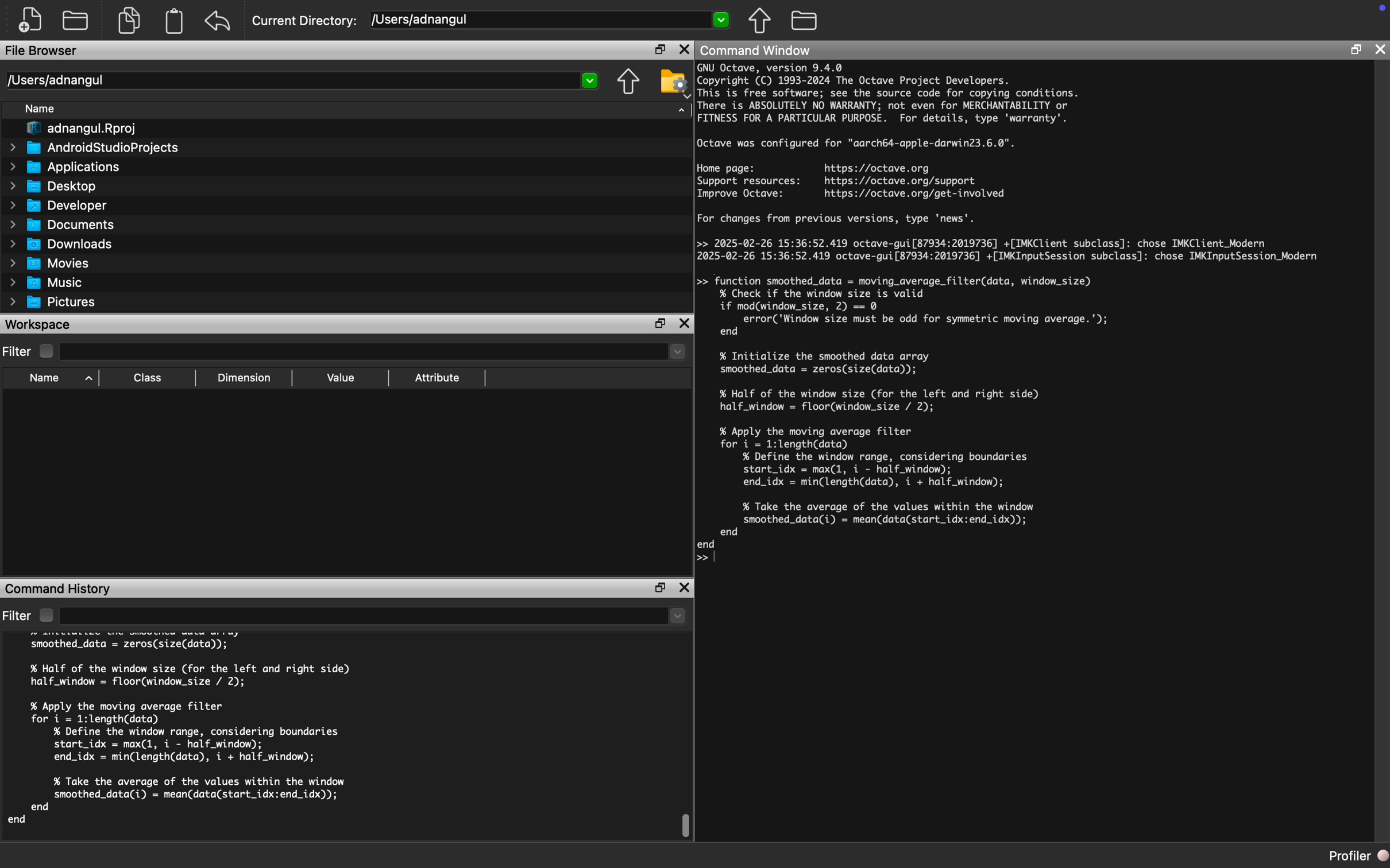 The width and height of the screenshot is (1390, 868). I want to click on Class, so click(148, 378).